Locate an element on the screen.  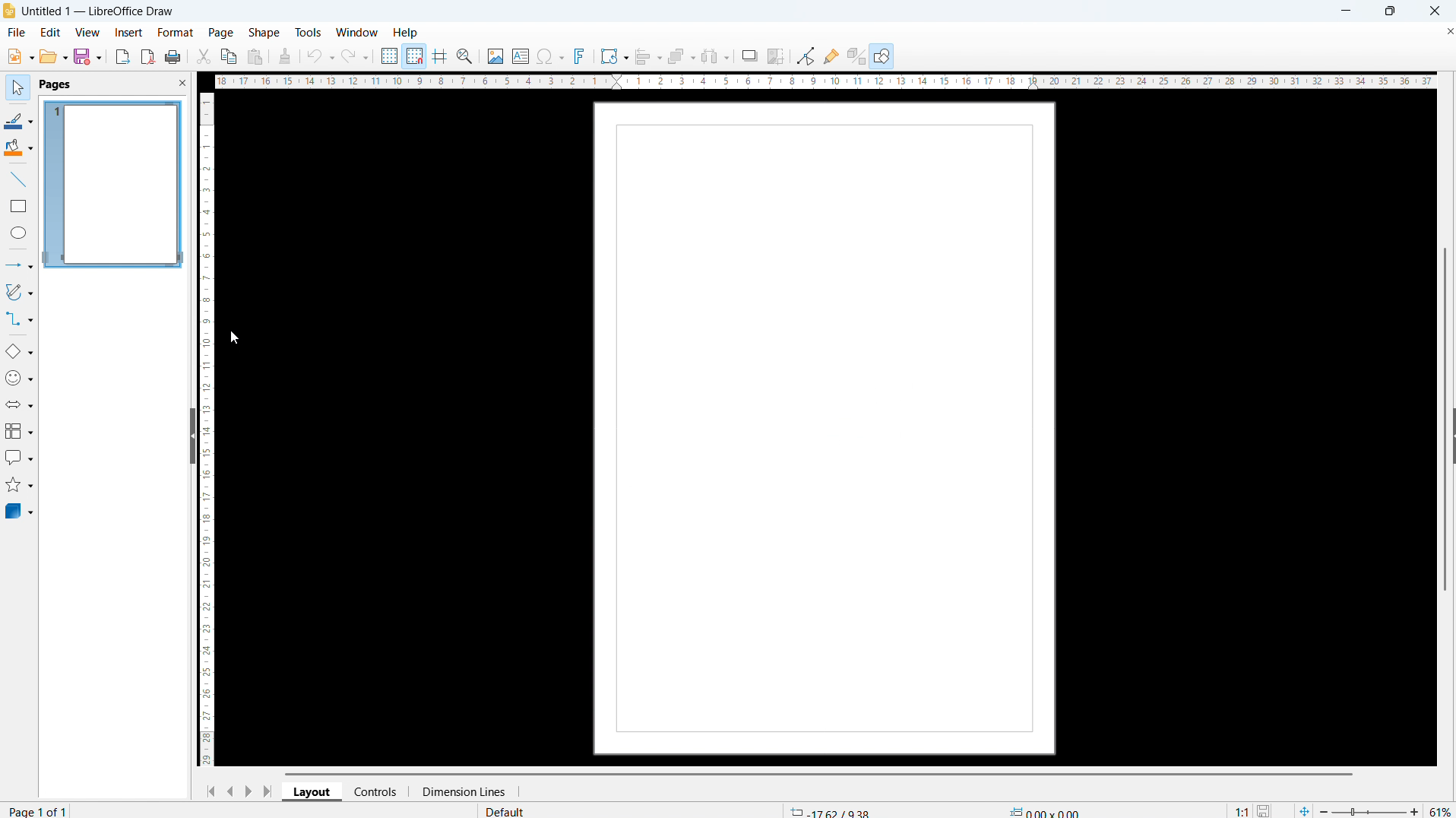
copy is located at coordinates (228, 55).